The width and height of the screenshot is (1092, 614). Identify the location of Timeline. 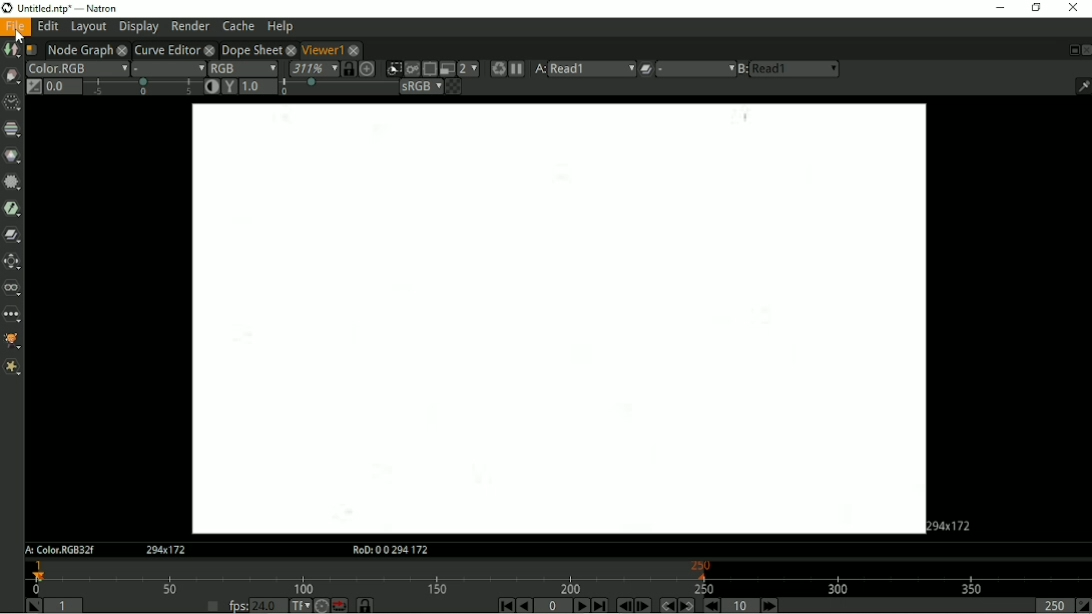
(555, 578).